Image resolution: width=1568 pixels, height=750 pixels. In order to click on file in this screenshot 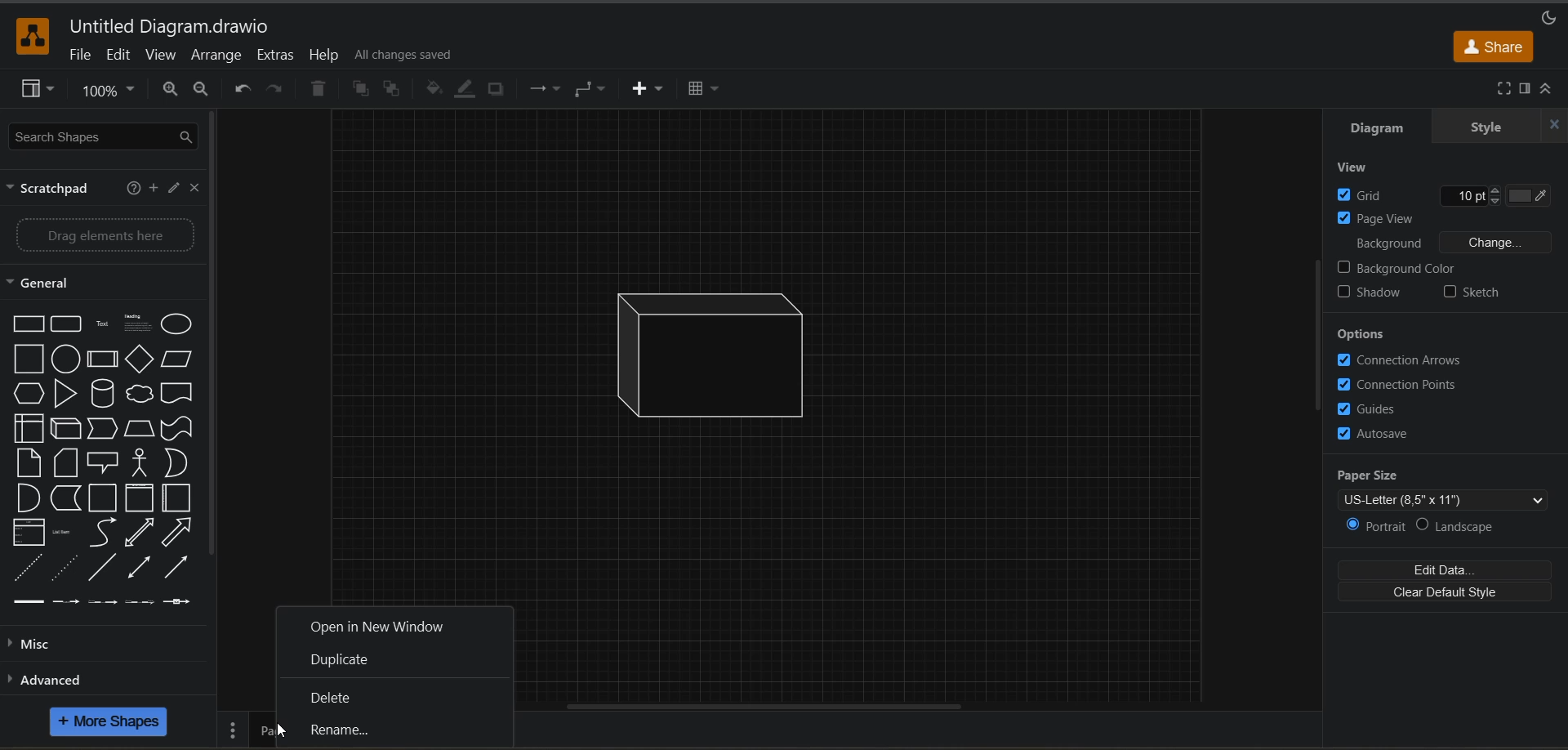, I will do `click(78, 58)`.